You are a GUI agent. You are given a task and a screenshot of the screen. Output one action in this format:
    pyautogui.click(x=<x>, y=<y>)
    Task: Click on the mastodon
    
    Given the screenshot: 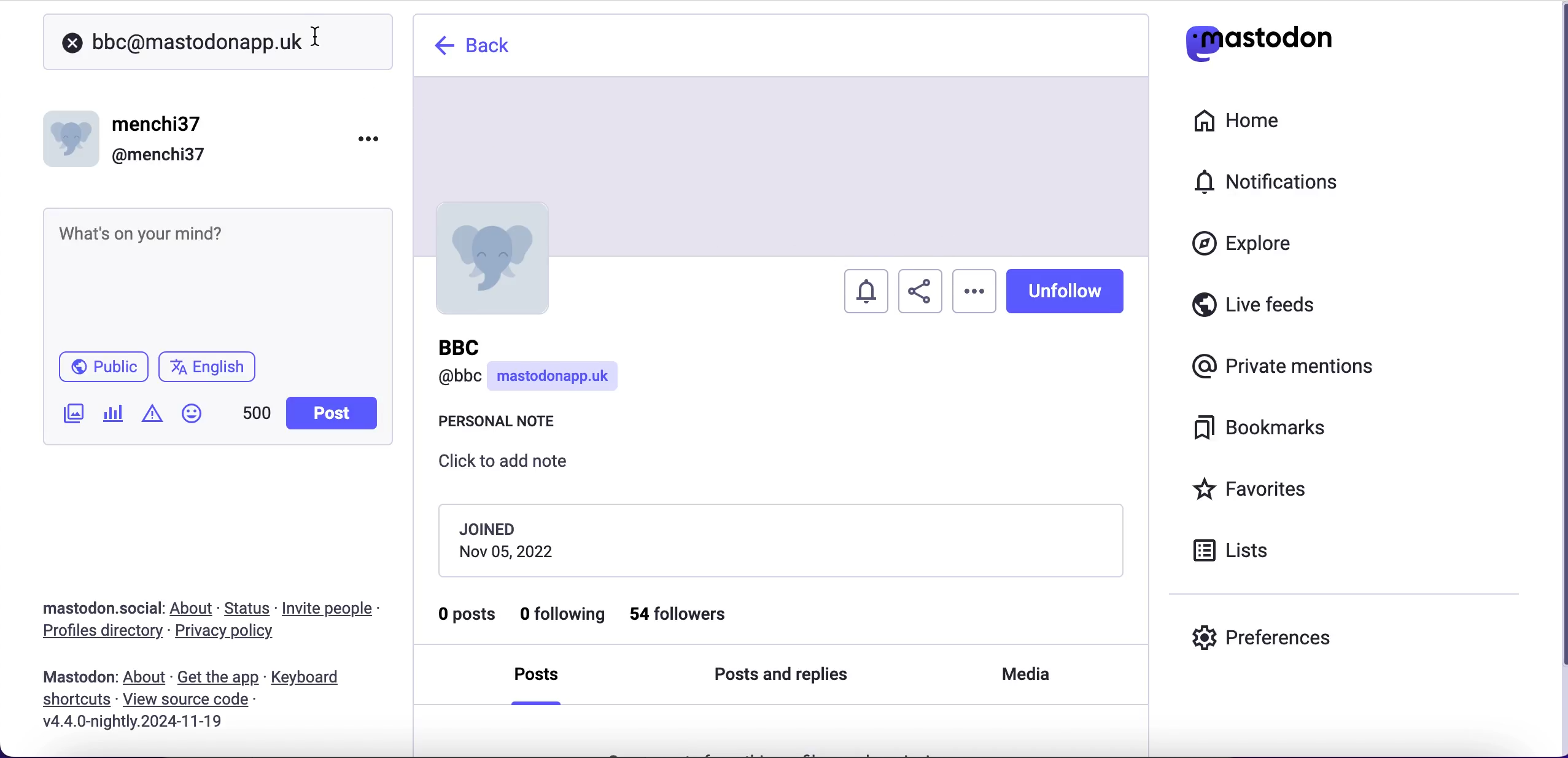 What is the action you would take?
    pyautogui.click(x=79, y=677)
    